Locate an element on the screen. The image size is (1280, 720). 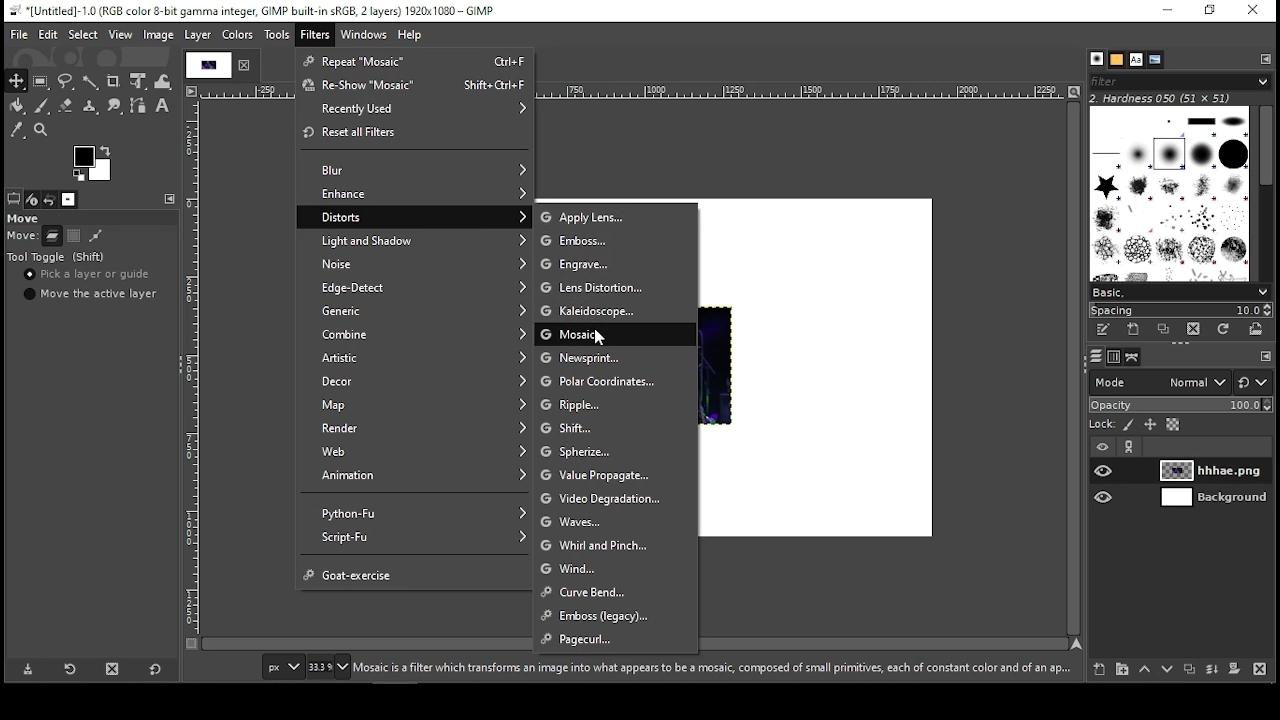
To open Tab menu is located at coordinates (1265, 357).